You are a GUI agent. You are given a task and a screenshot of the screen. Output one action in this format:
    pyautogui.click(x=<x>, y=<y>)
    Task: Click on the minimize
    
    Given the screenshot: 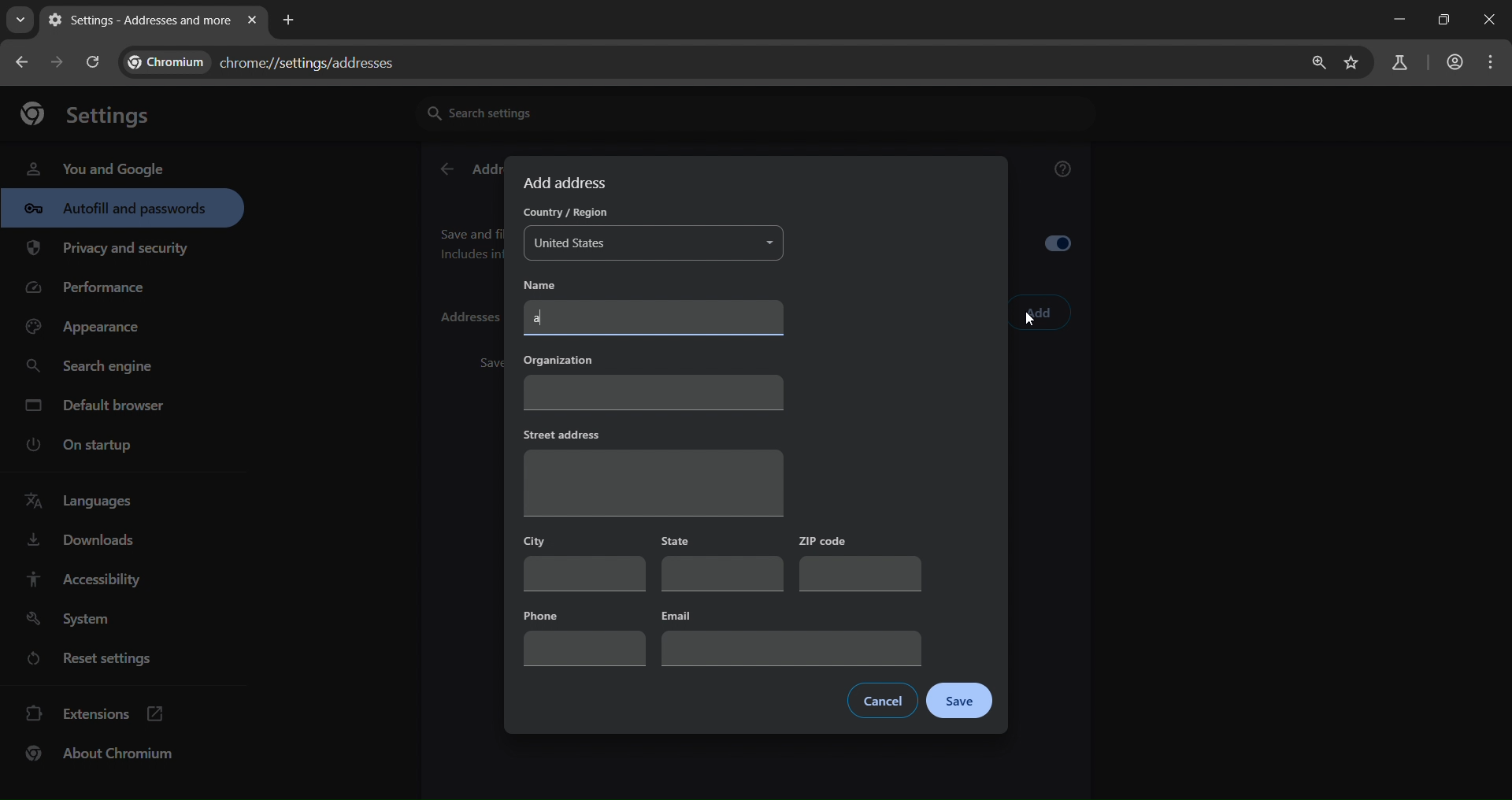 What is the action you would take?
    pyautogui.click(x=1395, y=20)
    